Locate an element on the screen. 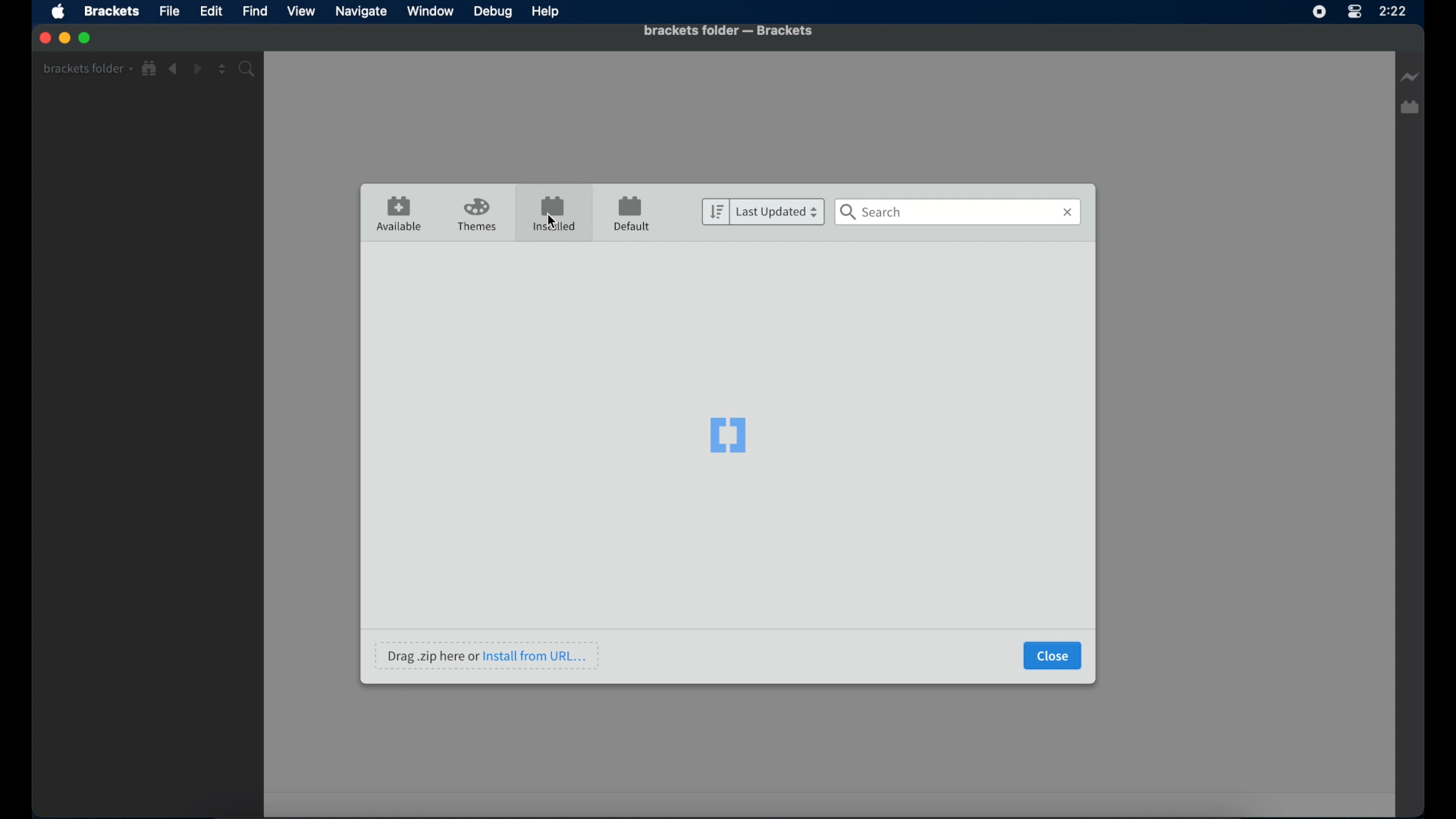  close is located at coordinates (1053, 656).